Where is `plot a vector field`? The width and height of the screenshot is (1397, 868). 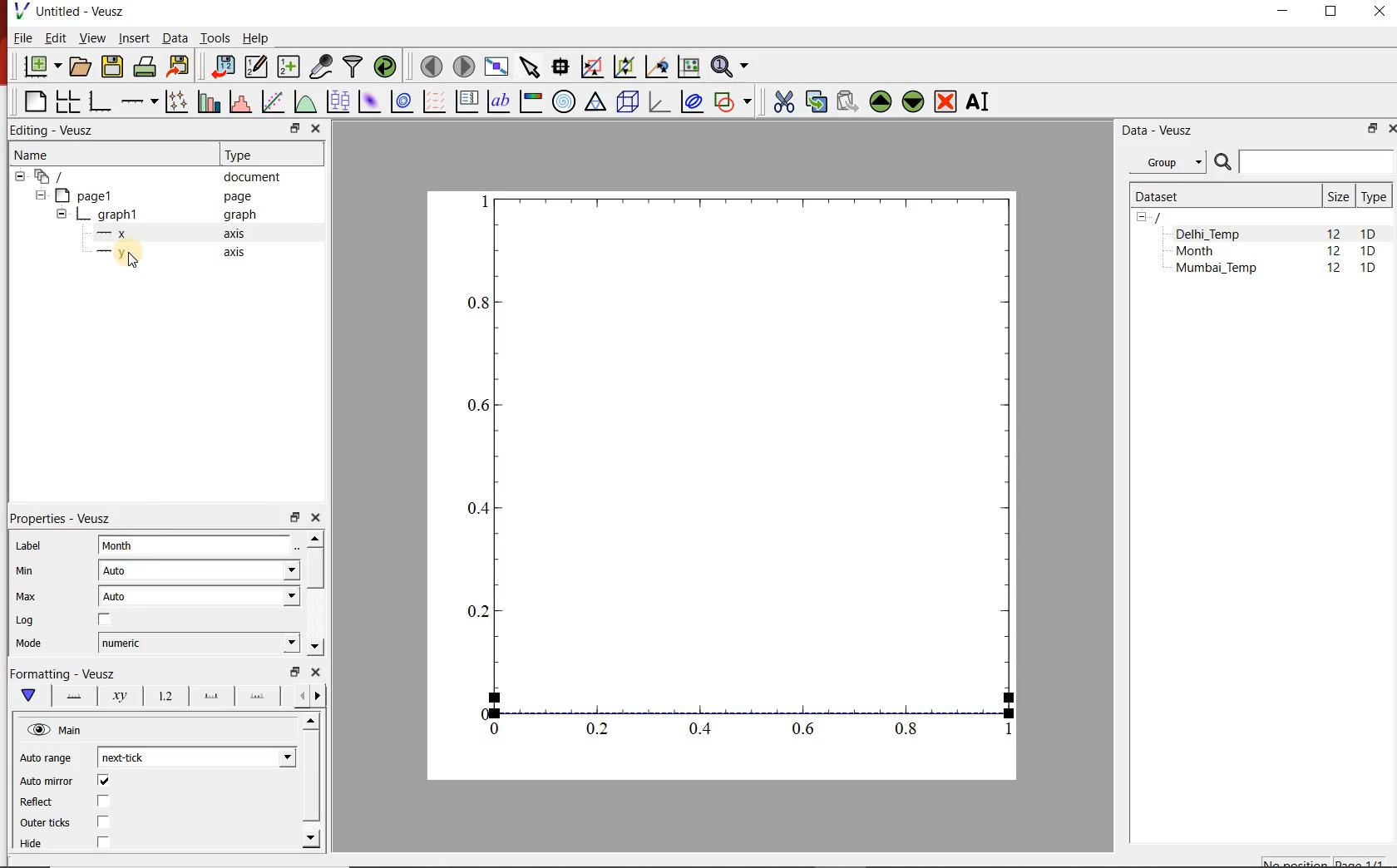
plot a vector field is located at coordinates (433, 102).